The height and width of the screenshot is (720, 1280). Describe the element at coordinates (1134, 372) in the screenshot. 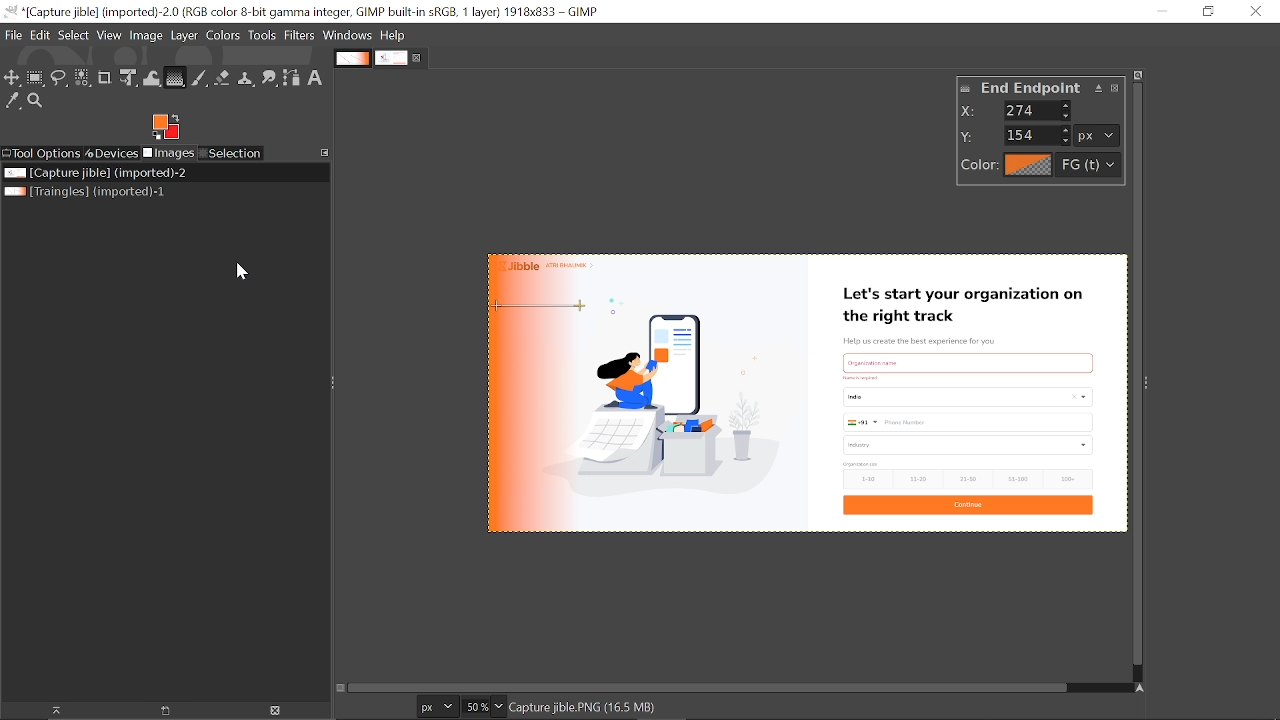

I see `Vertical scrollbar` at that location.